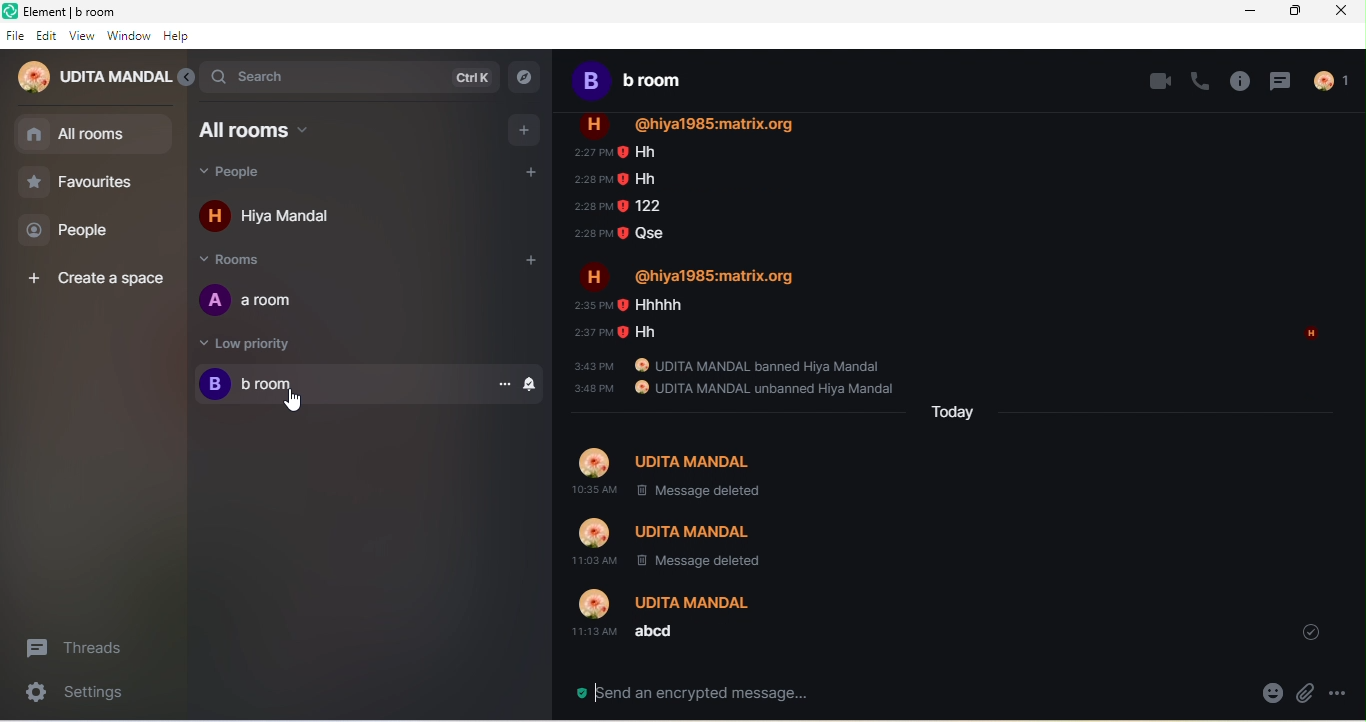 This screenshot has height=722, width=1366. Describe the element at coordinates (88, 643) in the screenshot. I see `threads` at that location.